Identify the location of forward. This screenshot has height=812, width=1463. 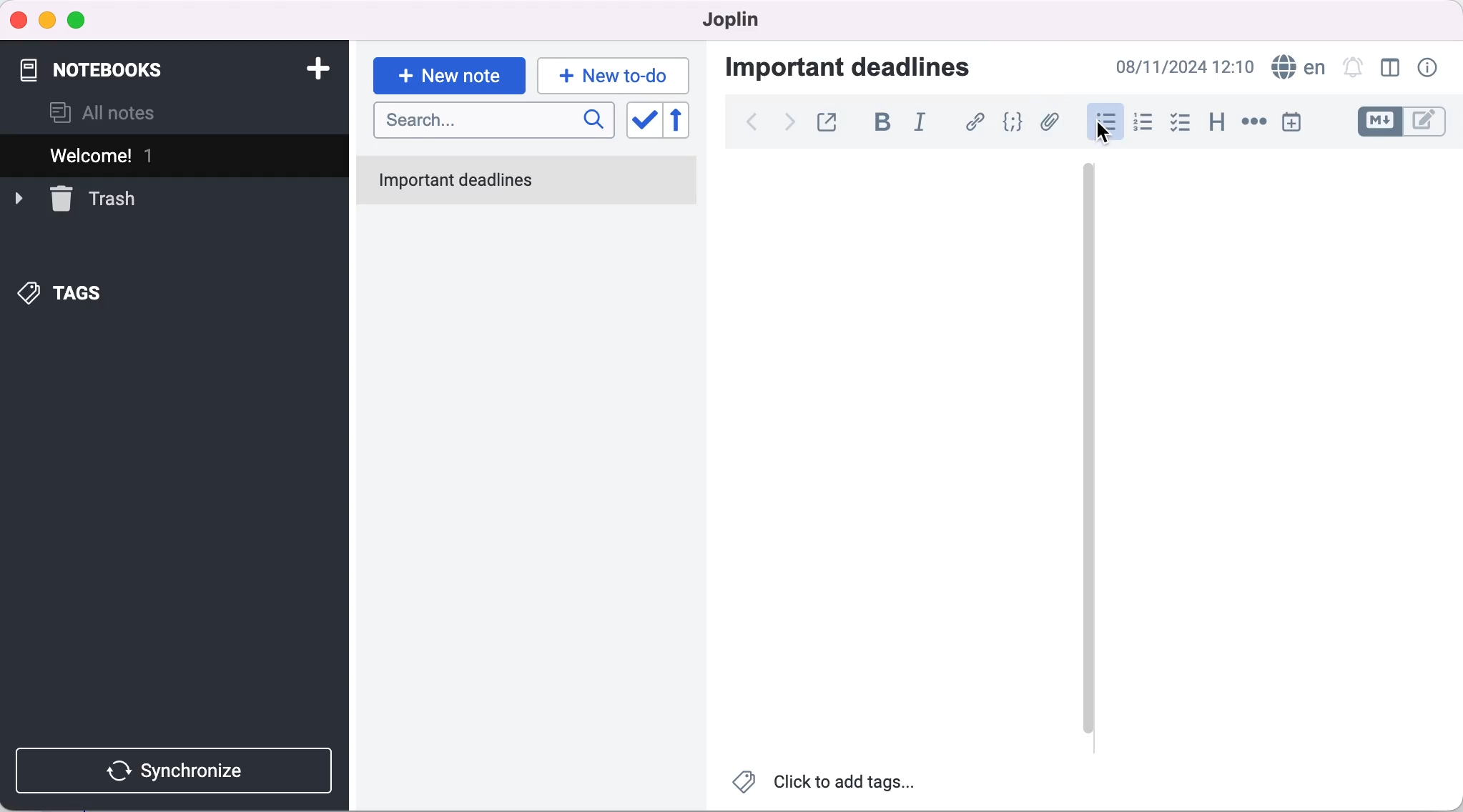
(789, 122).